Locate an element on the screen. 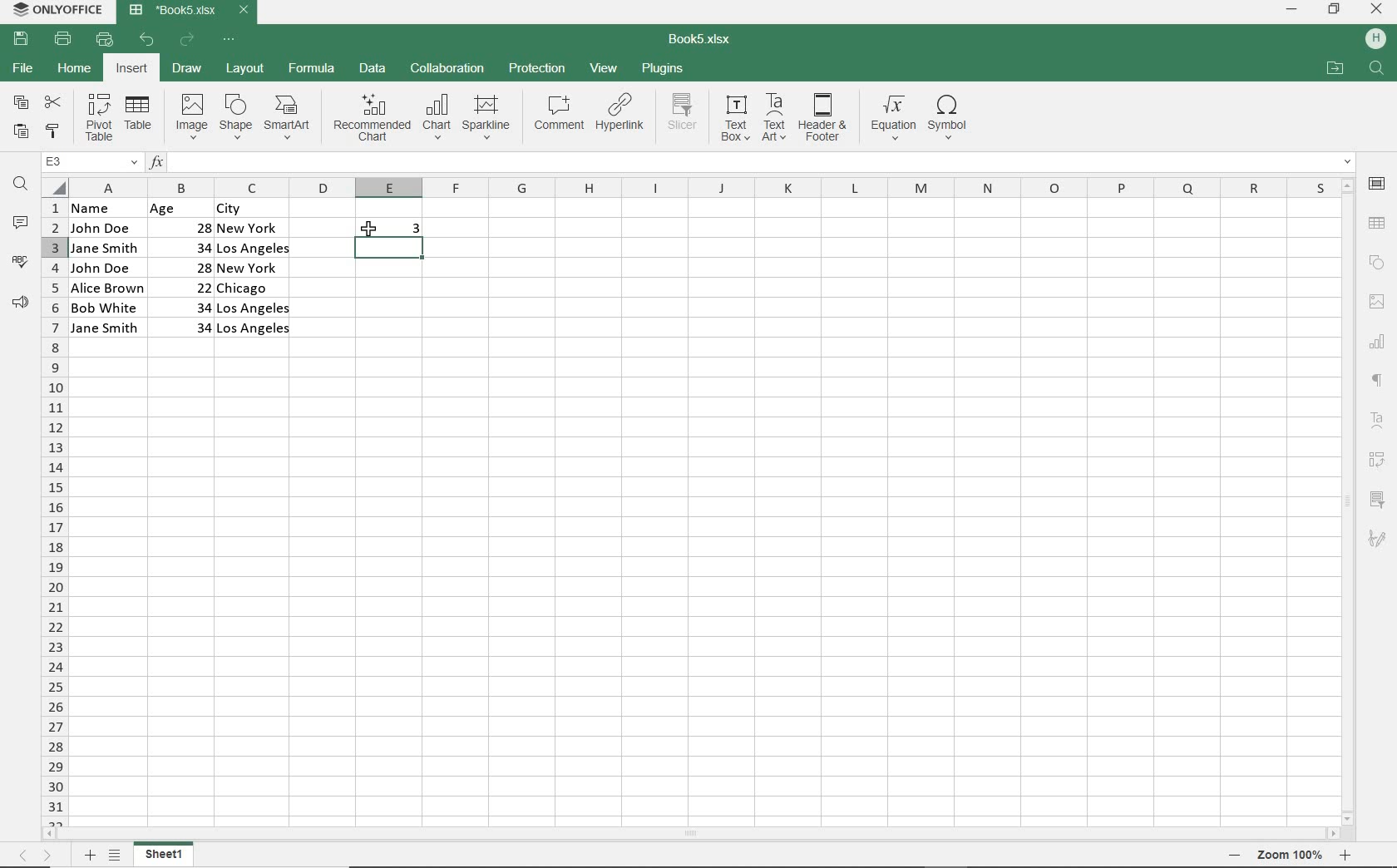  SHEET NAME is located at coordinates (166, 856).